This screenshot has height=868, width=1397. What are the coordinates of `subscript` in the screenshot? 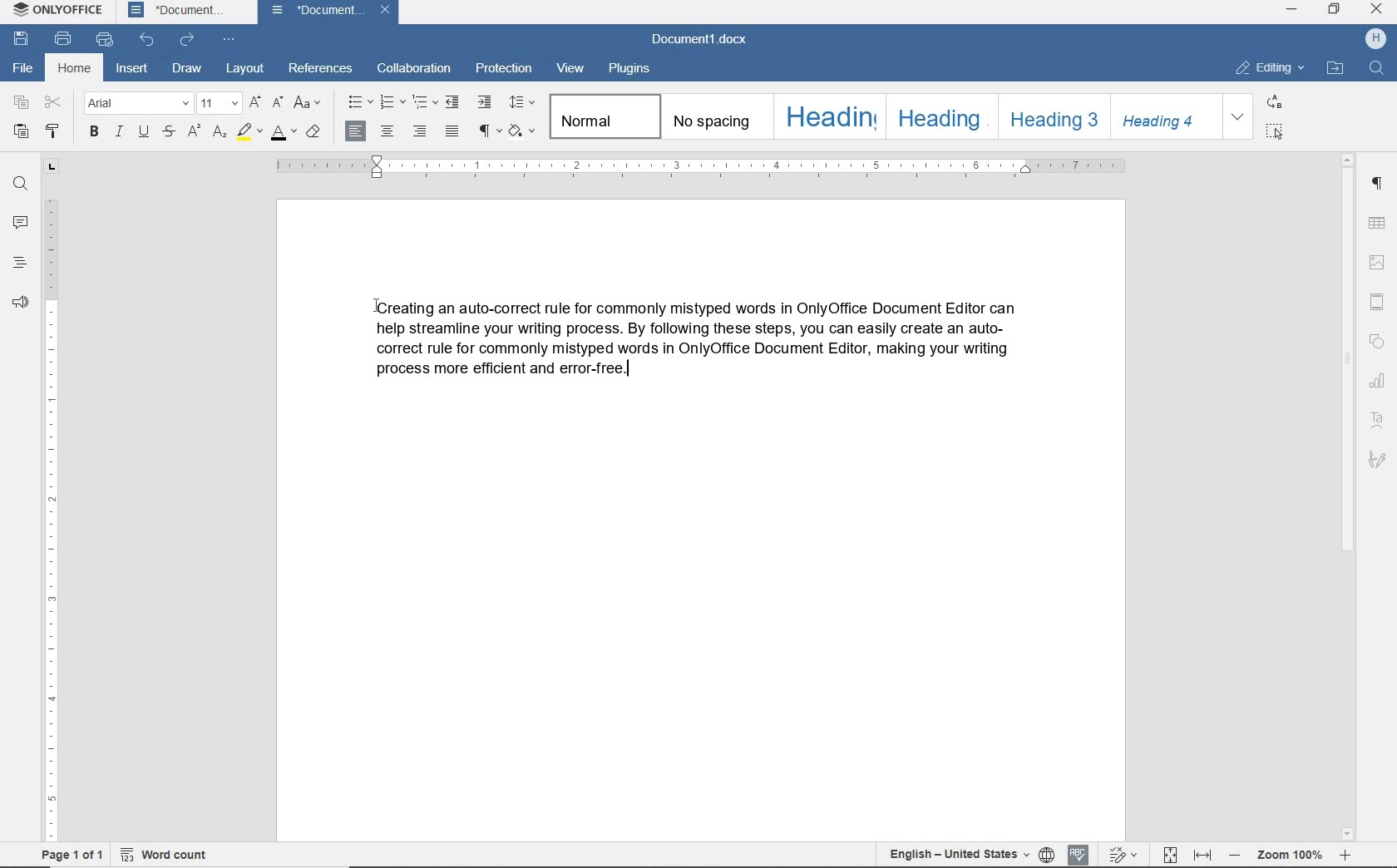 It's located at (220, 131).